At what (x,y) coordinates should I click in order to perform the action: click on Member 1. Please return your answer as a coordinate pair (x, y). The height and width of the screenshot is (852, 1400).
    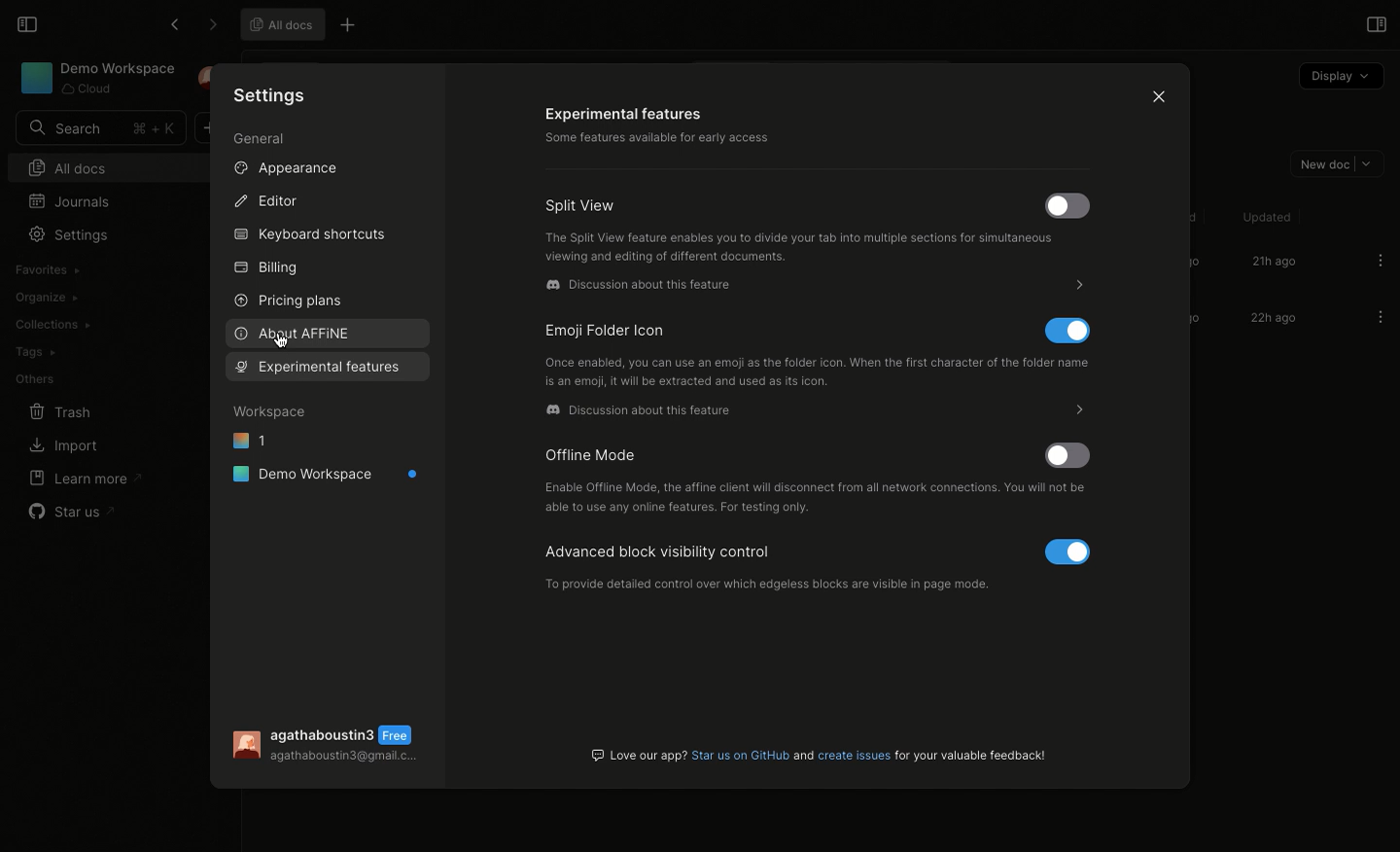
    Looking at the image, I should click on (770, 564).